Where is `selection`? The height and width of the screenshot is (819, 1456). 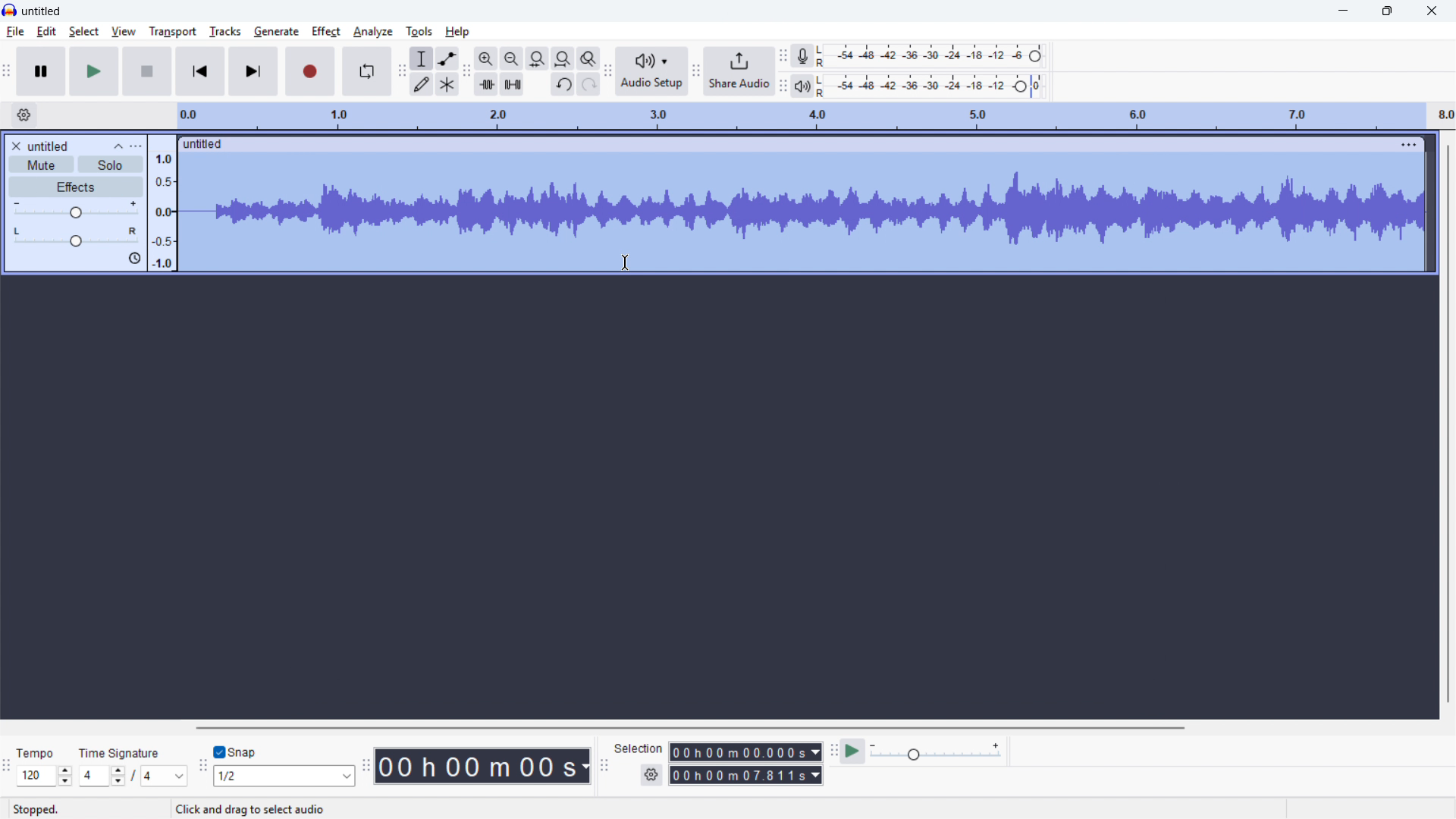 selection is located at coordinates (639, 748).